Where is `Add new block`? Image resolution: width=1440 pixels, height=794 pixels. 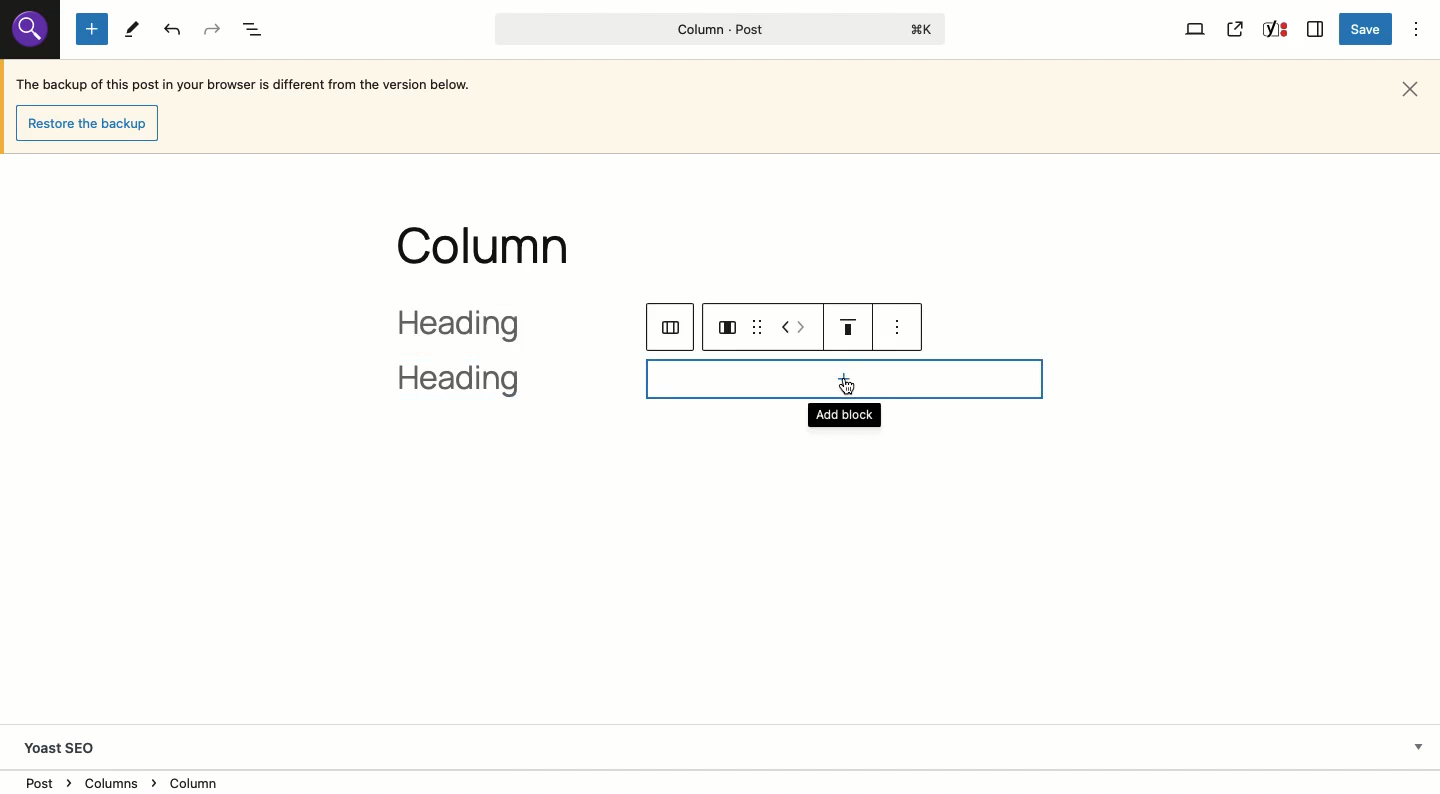 Add new block is located at coordinates (92, 30).